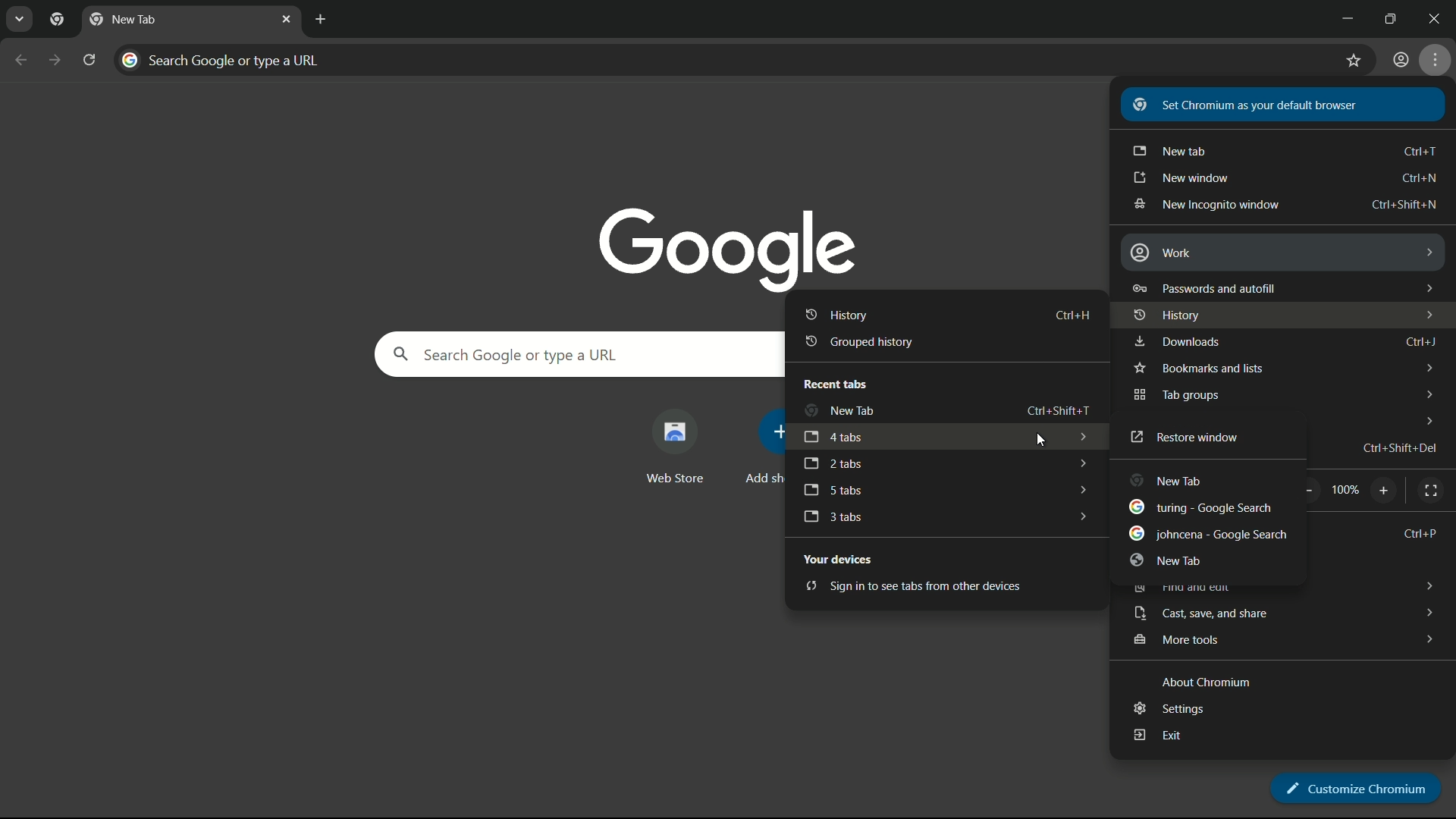 This screenshot has width=1456, height=819. I want to click on bookmark and lists, so click(1197, 369).